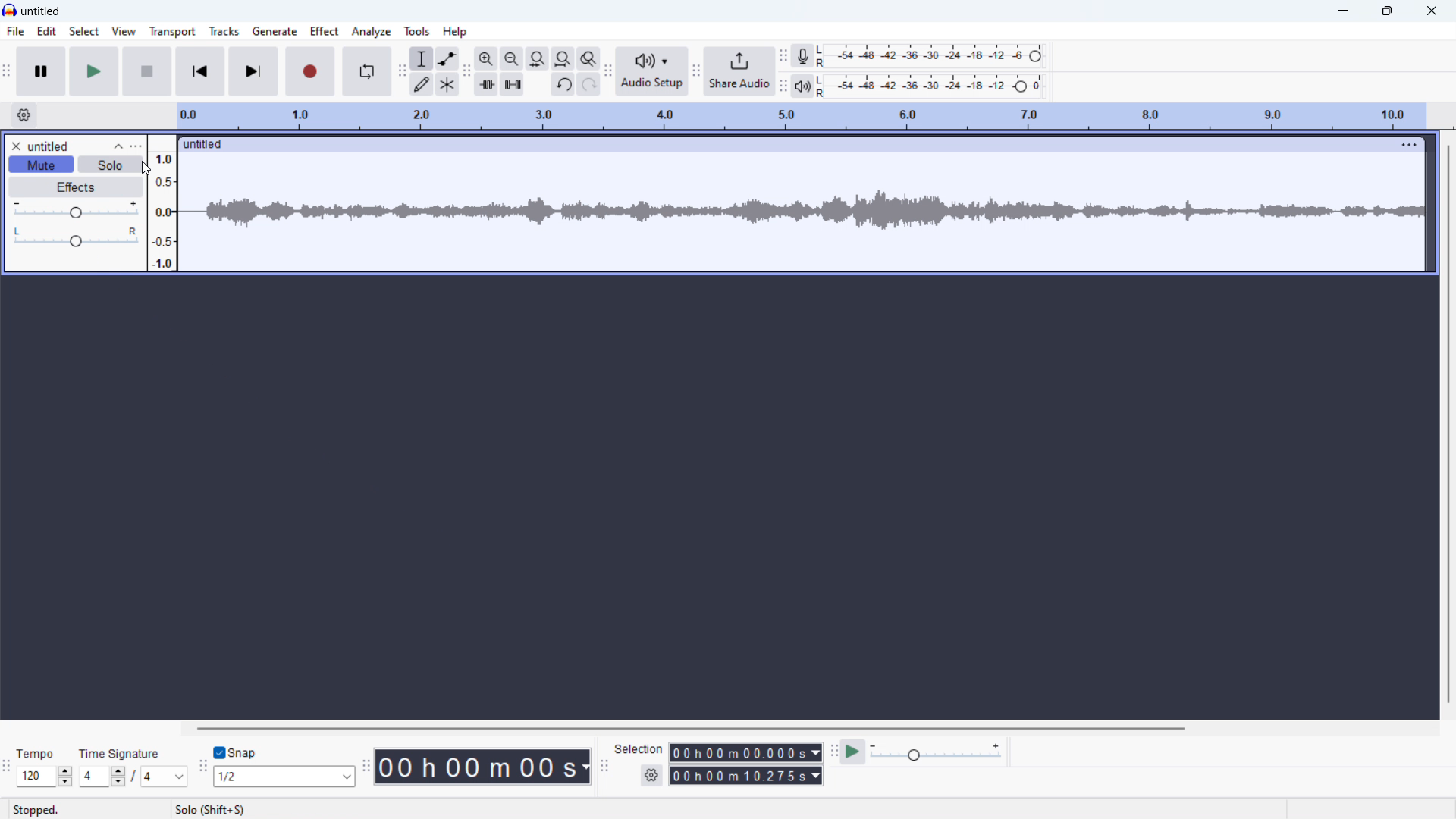 This screenshot has height=819, width=1456. What do you see at coordinates (44, 777) in the screenshot?
I see `set tempo` at bounding box center [44, 777].